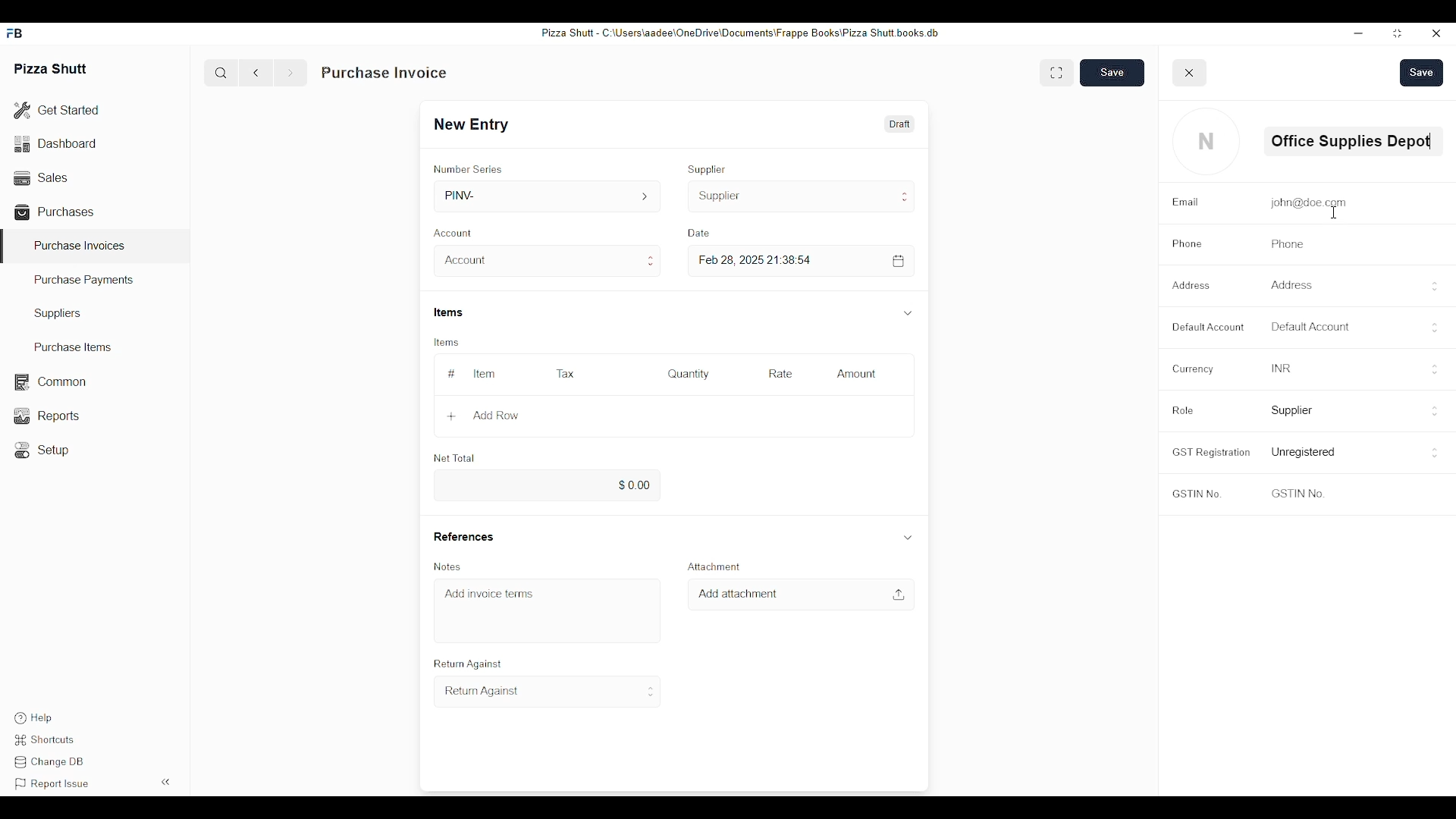 This screenshot has width=1456, height=819. What do you see at coordinates (466, 664) in the screenshot?
I see `Return Against` at bounding box center [466, 664].